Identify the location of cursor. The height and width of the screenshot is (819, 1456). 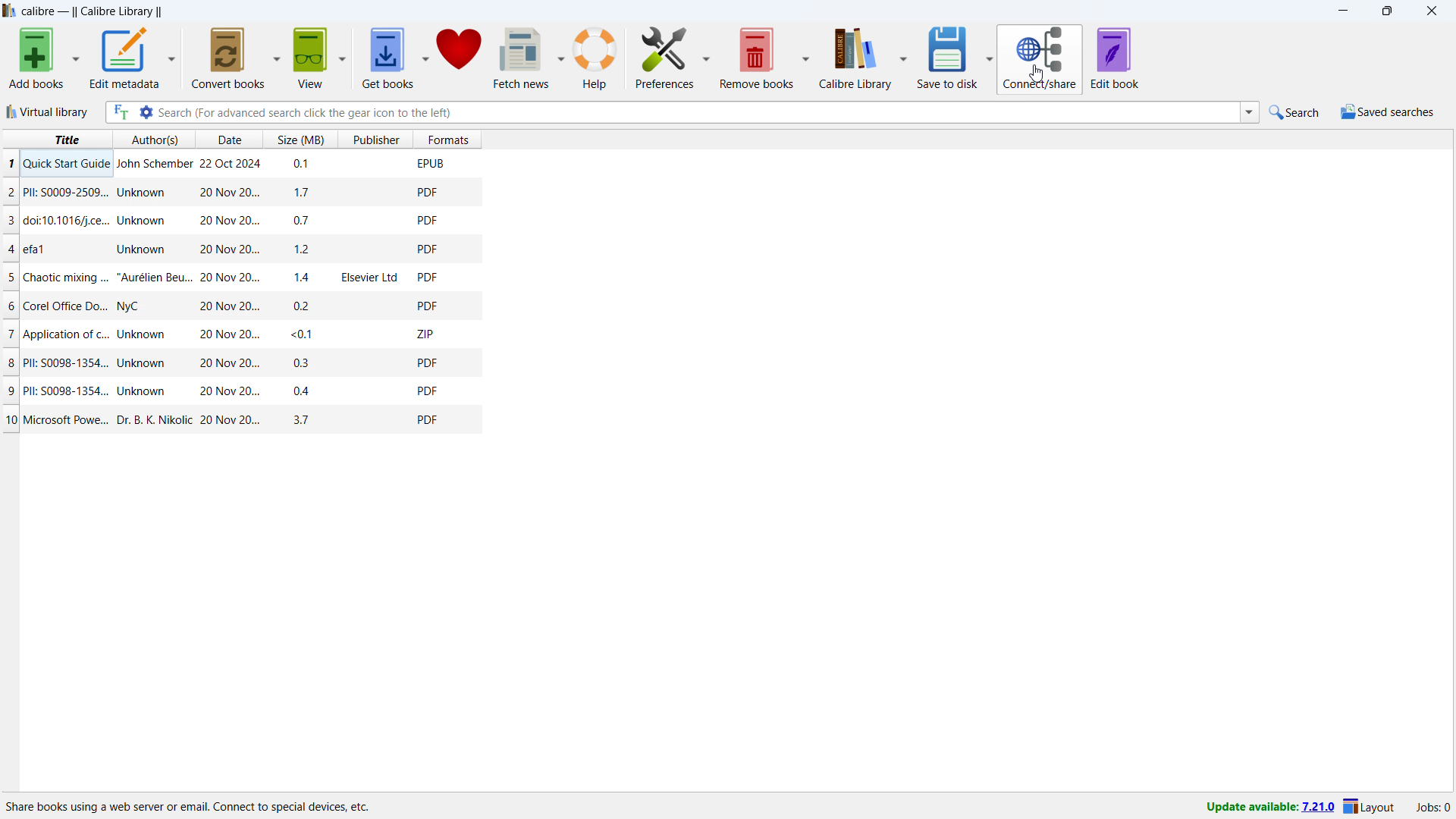
(1037, 74).